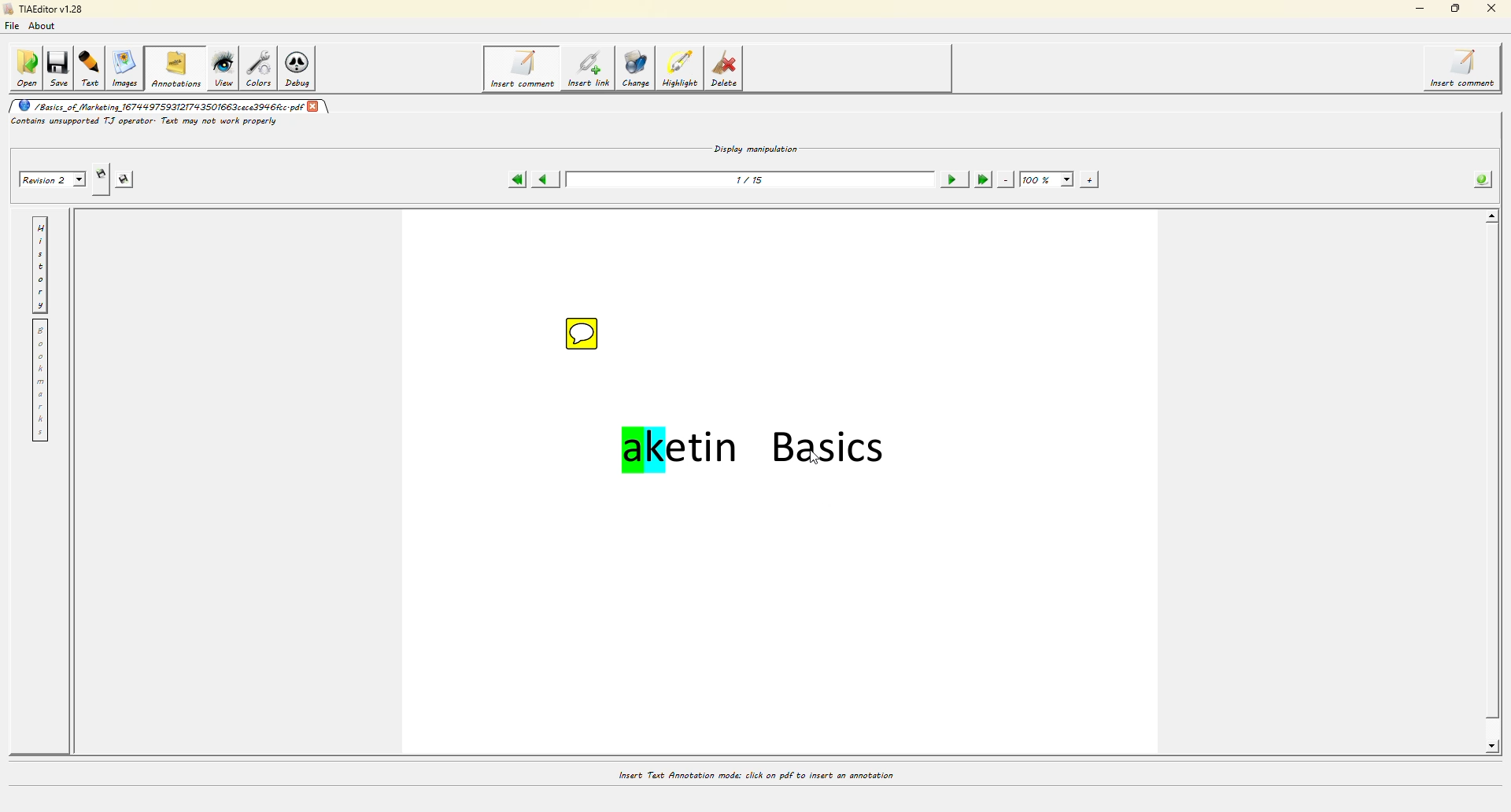  Describe the element at coordinates (302, 70) in the screenshot. I see `debug` at that location.